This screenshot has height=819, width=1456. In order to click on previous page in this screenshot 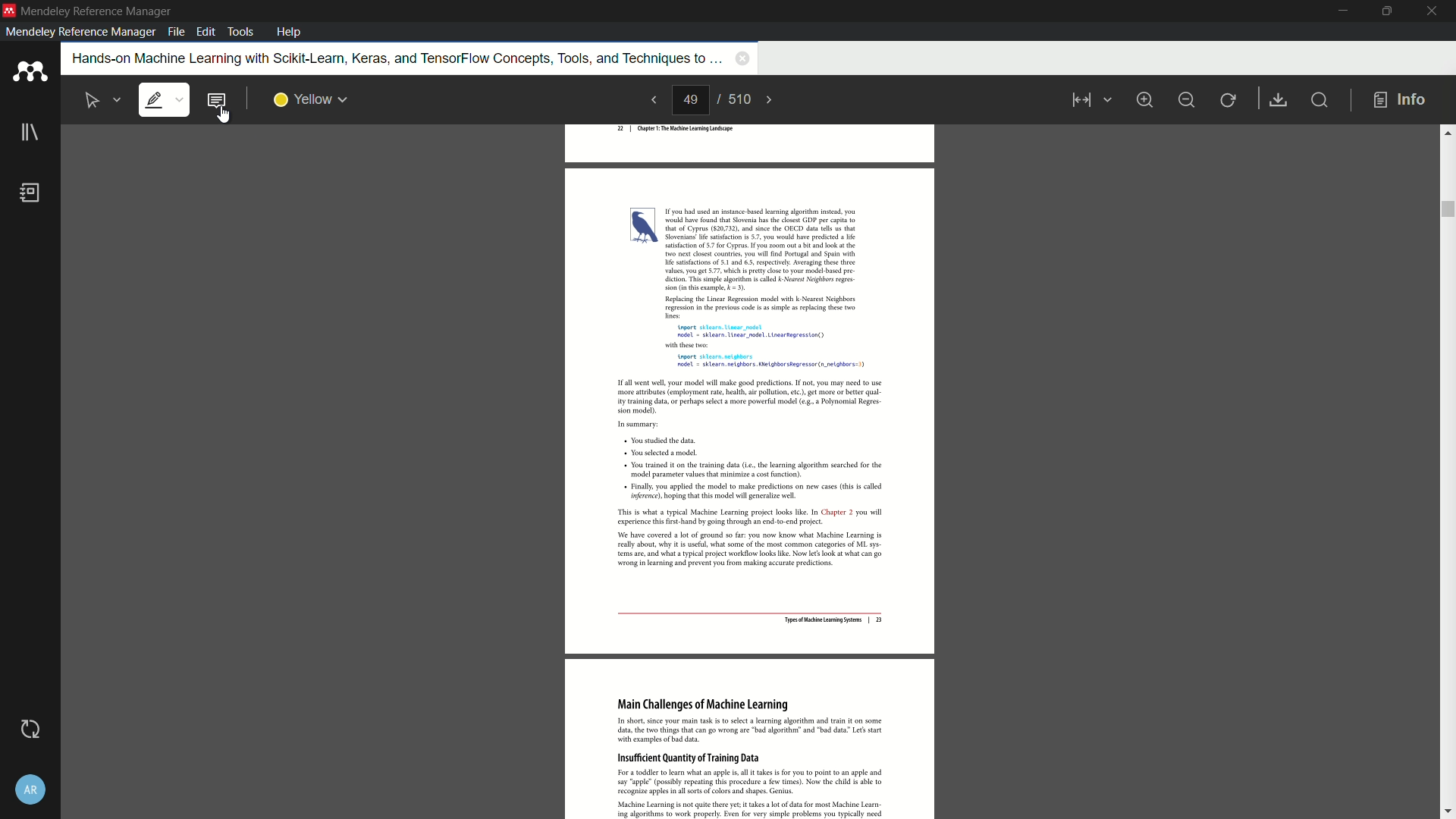, I will do `click(651, 101)`.